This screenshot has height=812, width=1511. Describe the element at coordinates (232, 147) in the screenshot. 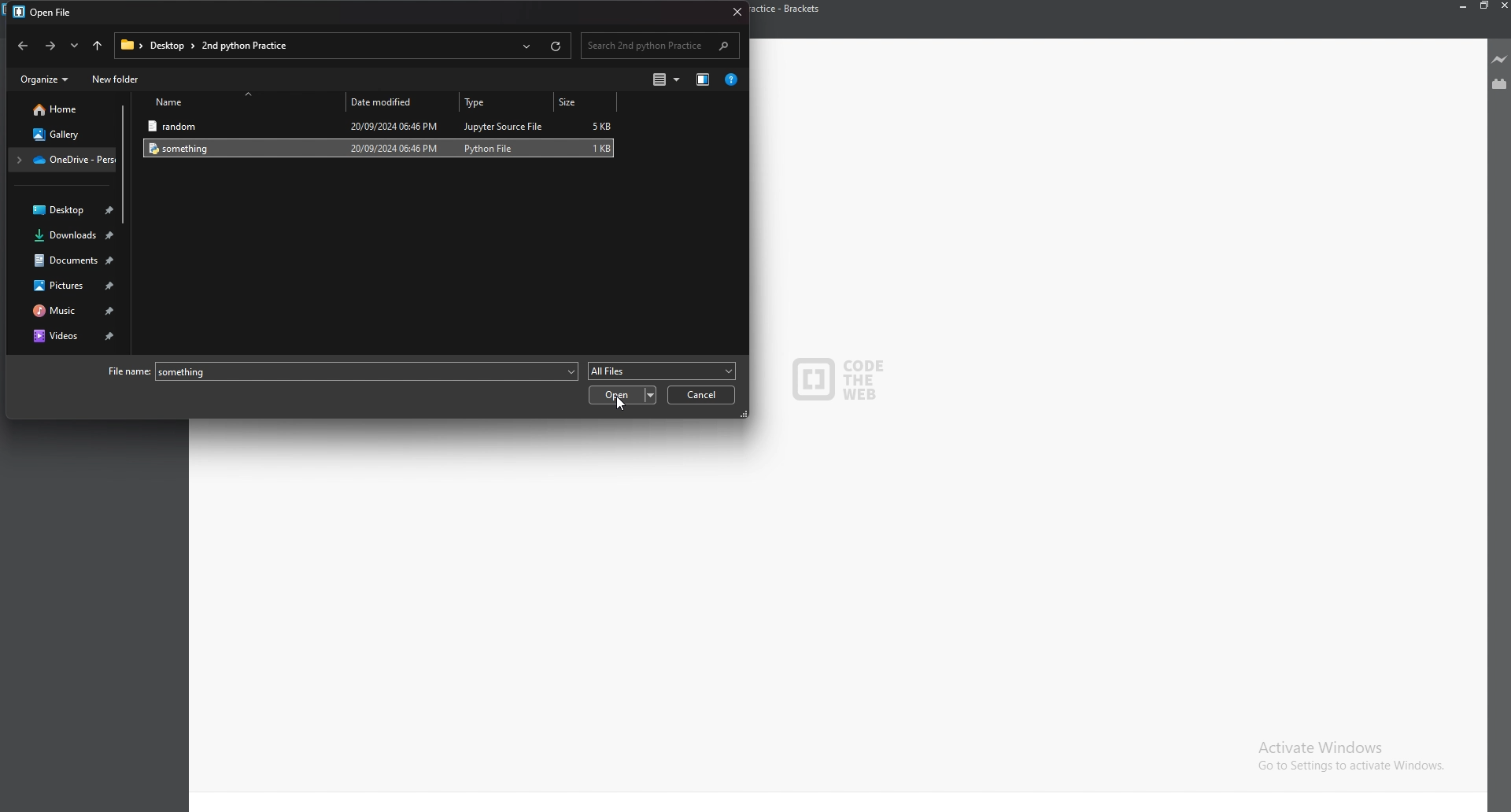

I see `something` at that location.